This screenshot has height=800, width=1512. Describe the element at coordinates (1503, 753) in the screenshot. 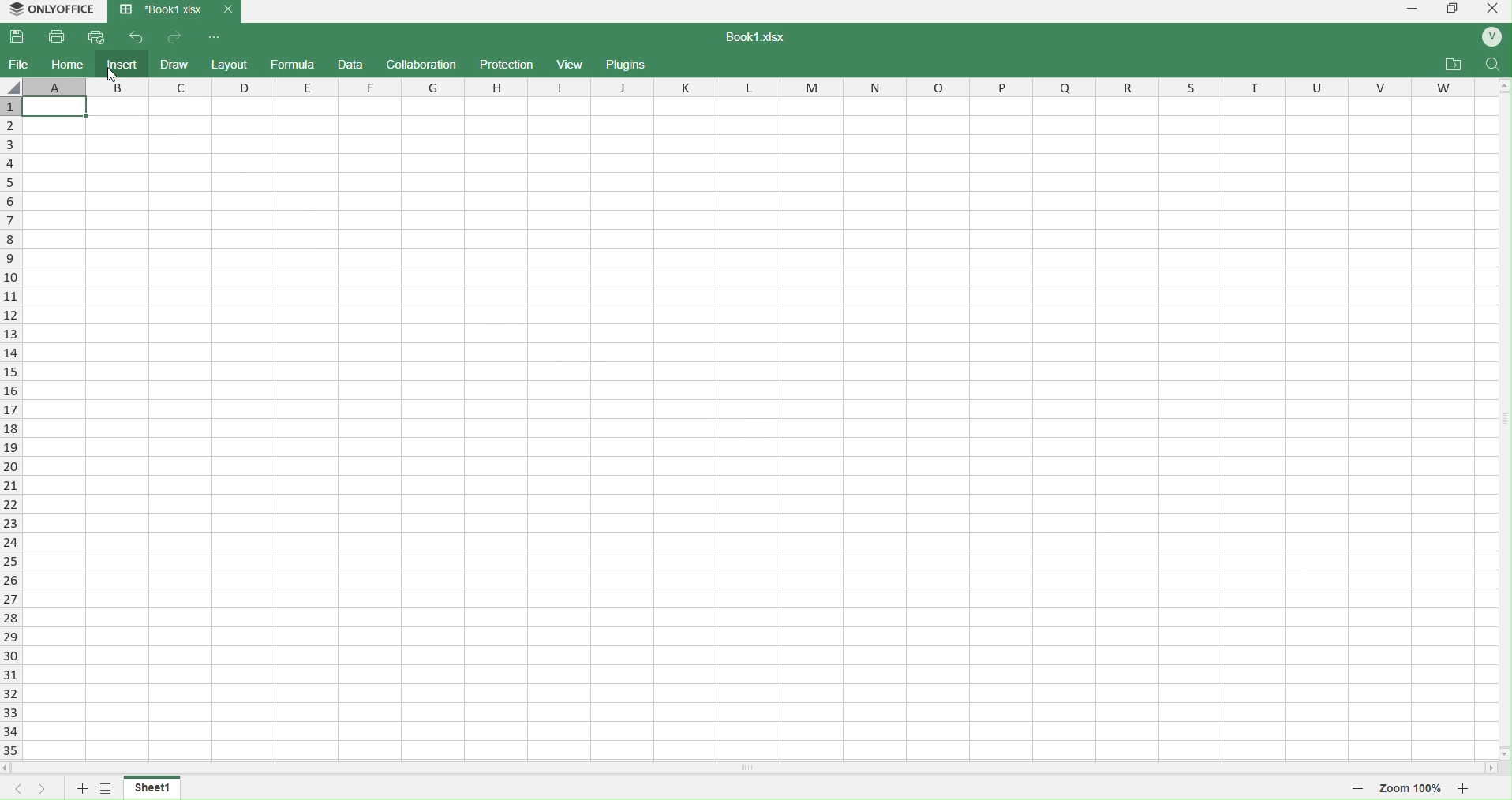

I see `move down` at that location.